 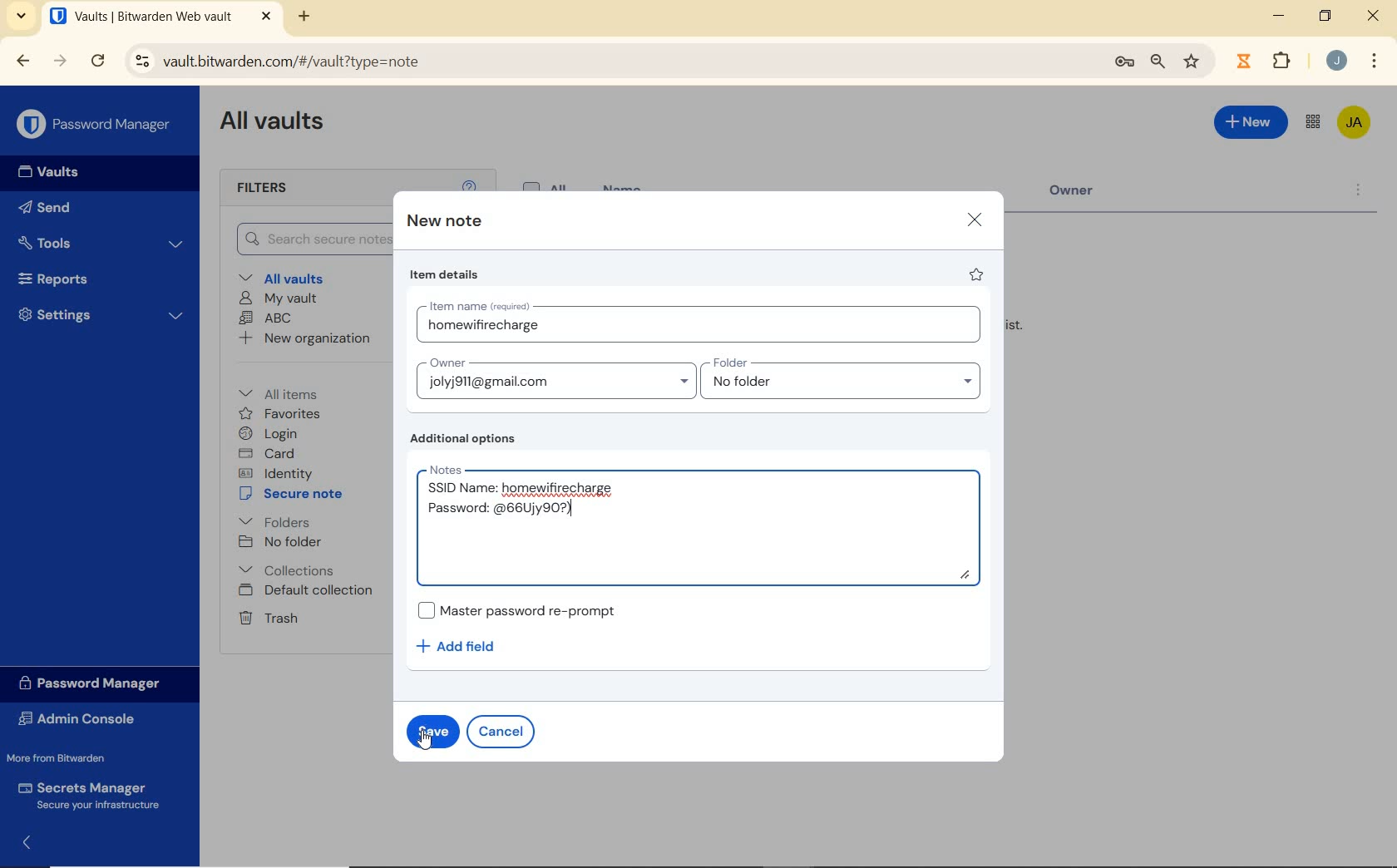 I want to click on close, so click(x=974, y=220).